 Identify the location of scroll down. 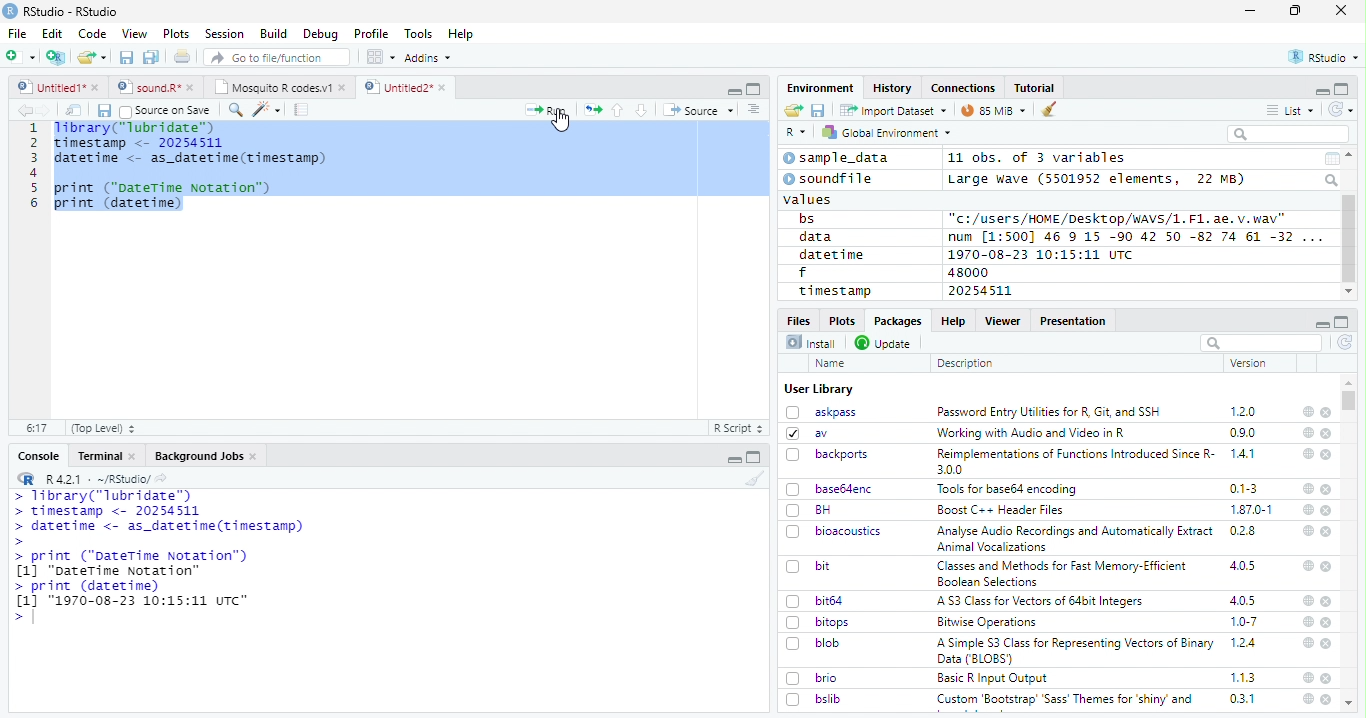
(1349, 292).